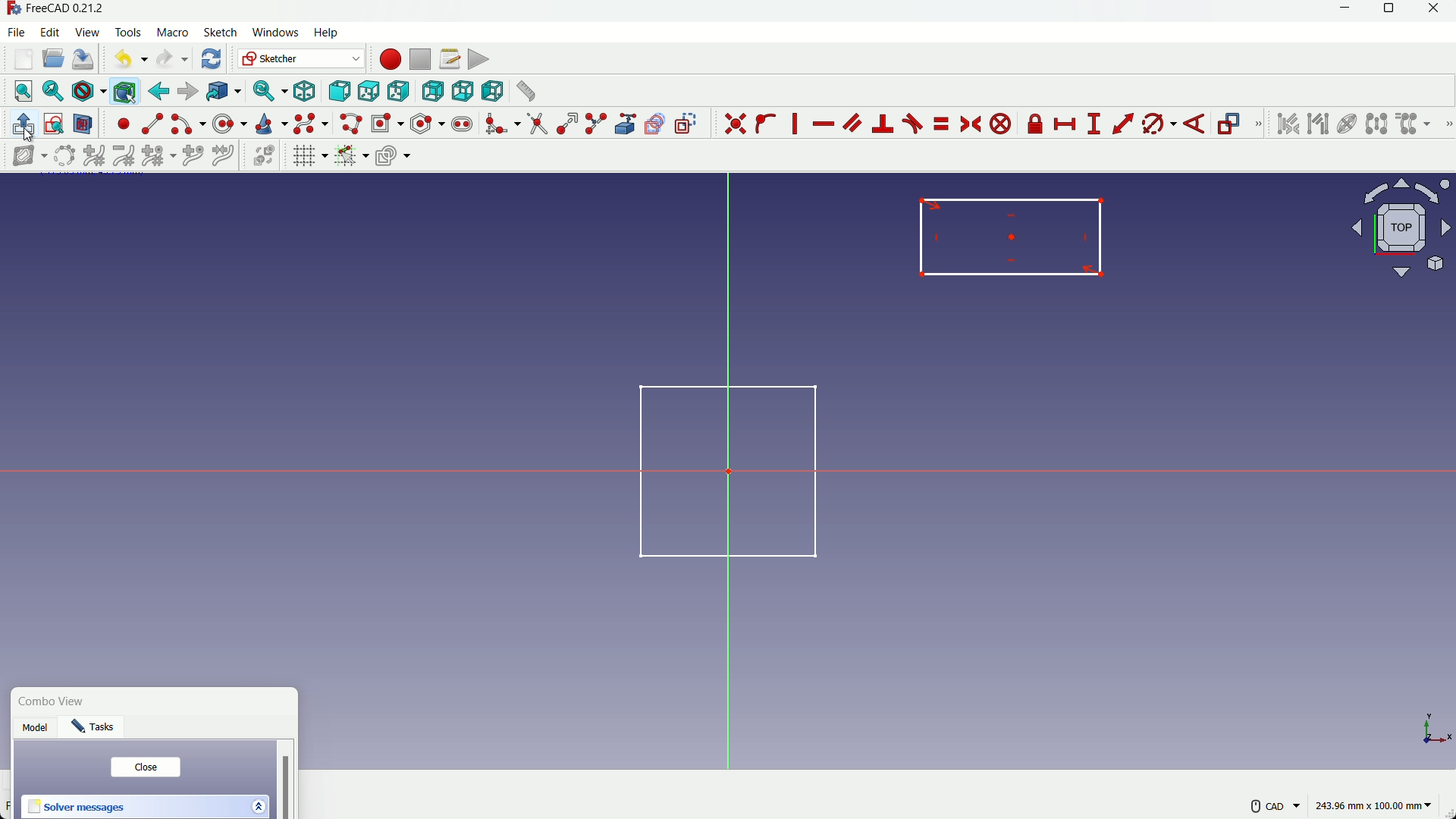 The width and height of the screenshot is (1456, 819). Describe the element at coordinates (51, 60) in the screenshot. I see `open file` at that location.